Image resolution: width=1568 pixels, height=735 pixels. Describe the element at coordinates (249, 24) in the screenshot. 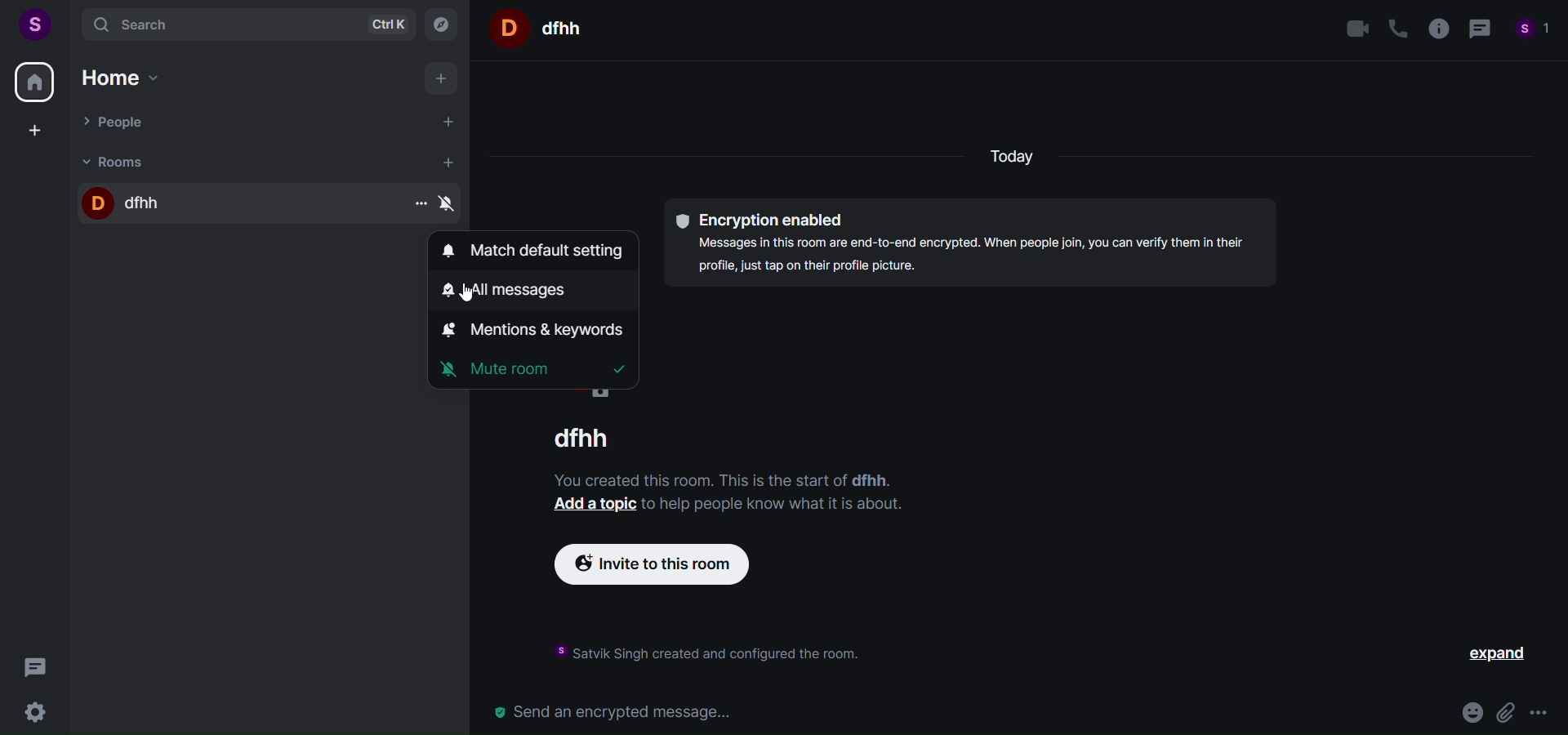

I see `search ctrl k` at that location.